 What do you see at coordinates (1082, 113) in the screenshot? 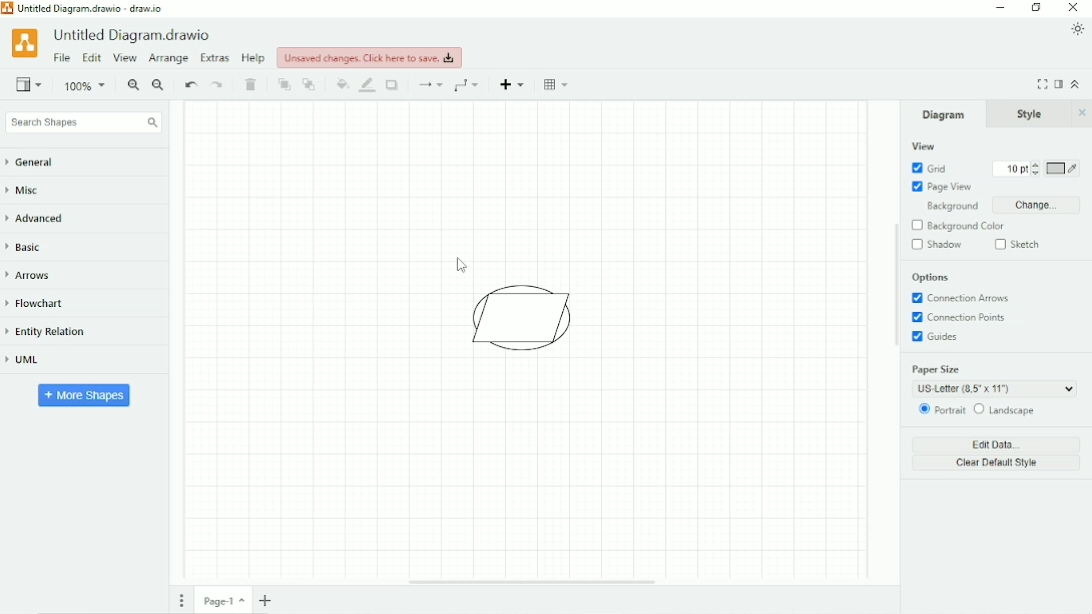
I see `Close` at bounding box center [1082, 113].